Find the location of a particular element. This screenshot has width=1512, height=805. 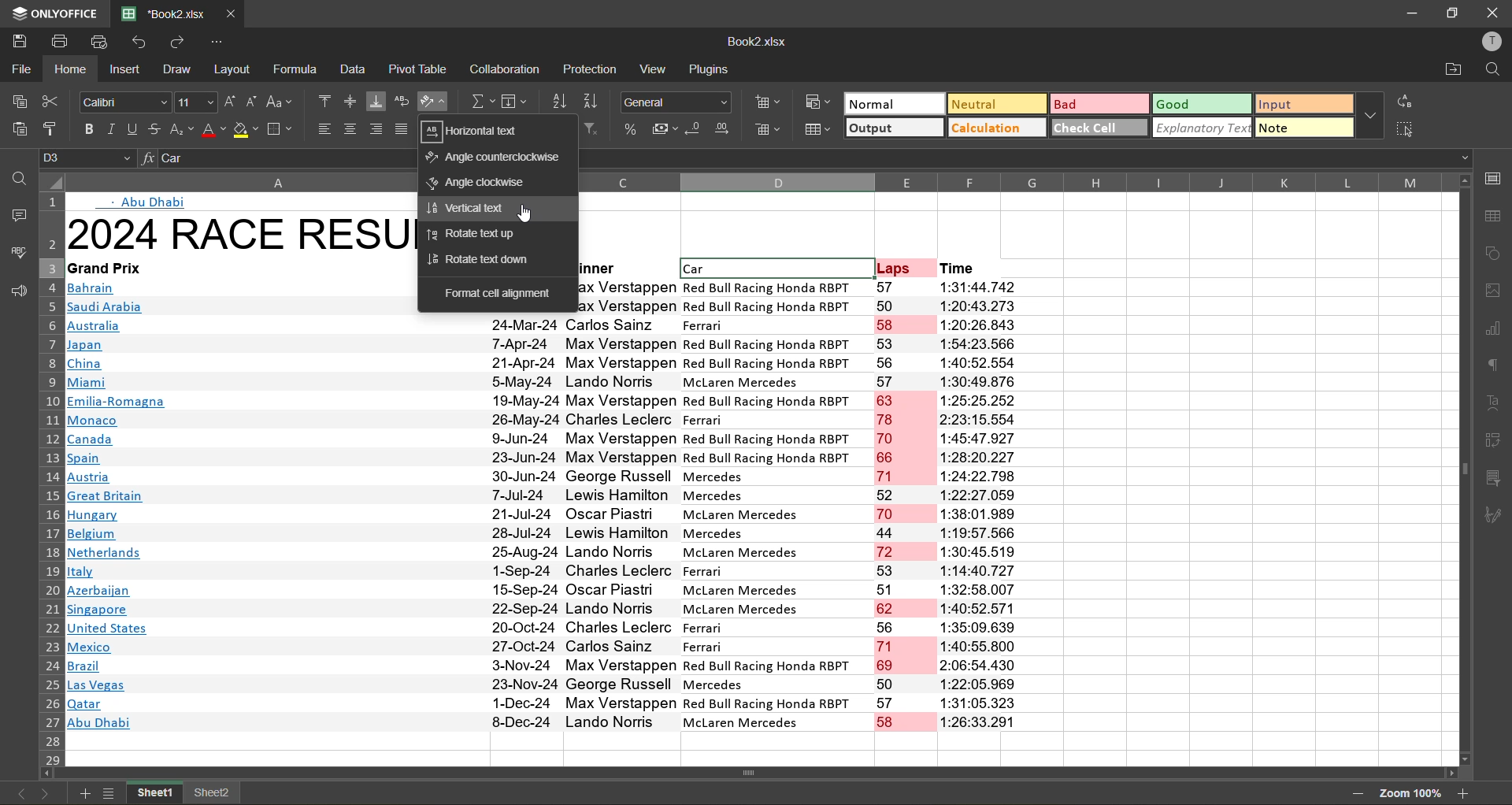

font color is located at coordinates (215, 132).